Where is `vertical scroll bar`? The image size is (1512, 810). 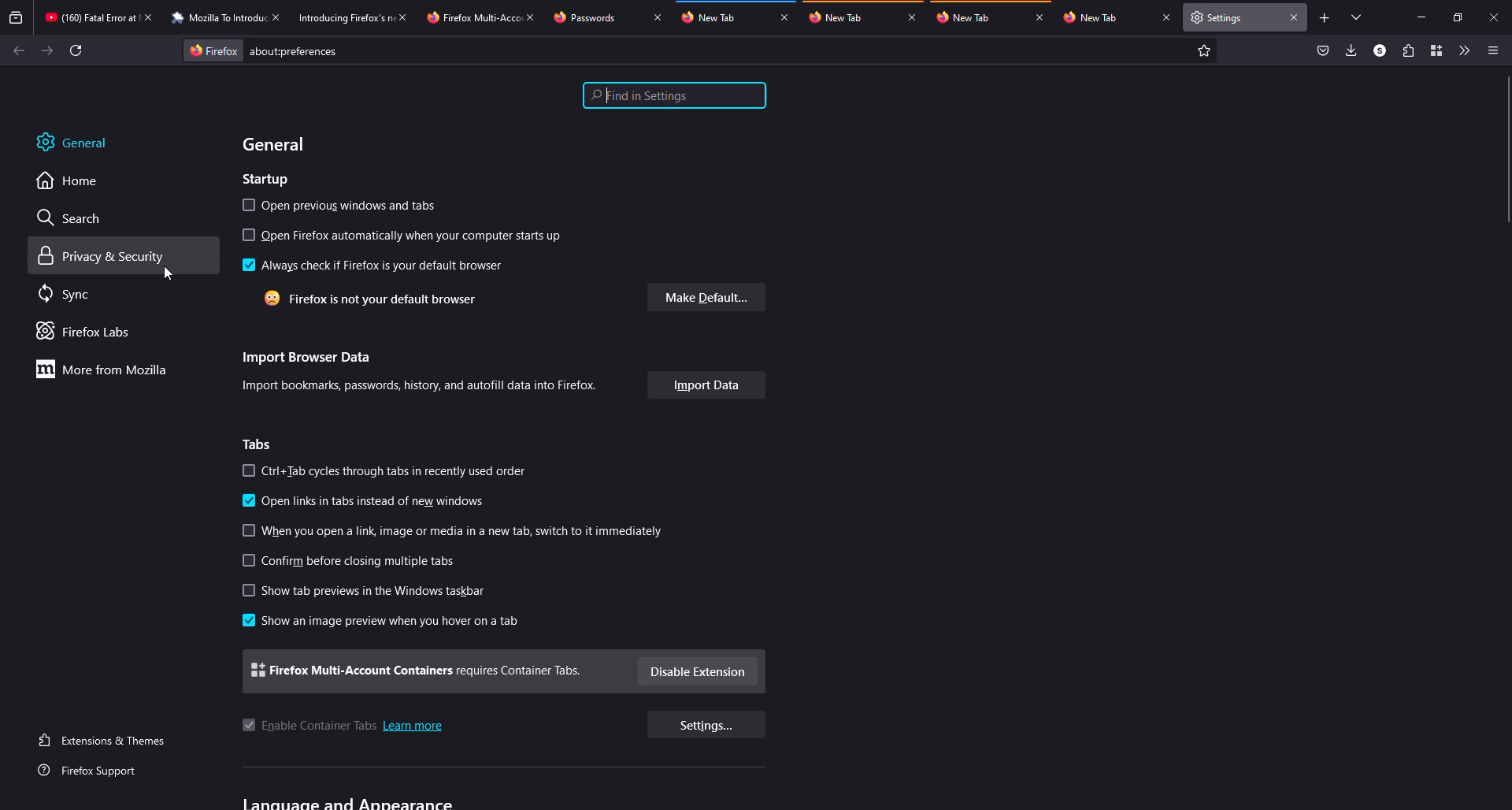 vertical scroll bar is located at coordinates (1507, 149).